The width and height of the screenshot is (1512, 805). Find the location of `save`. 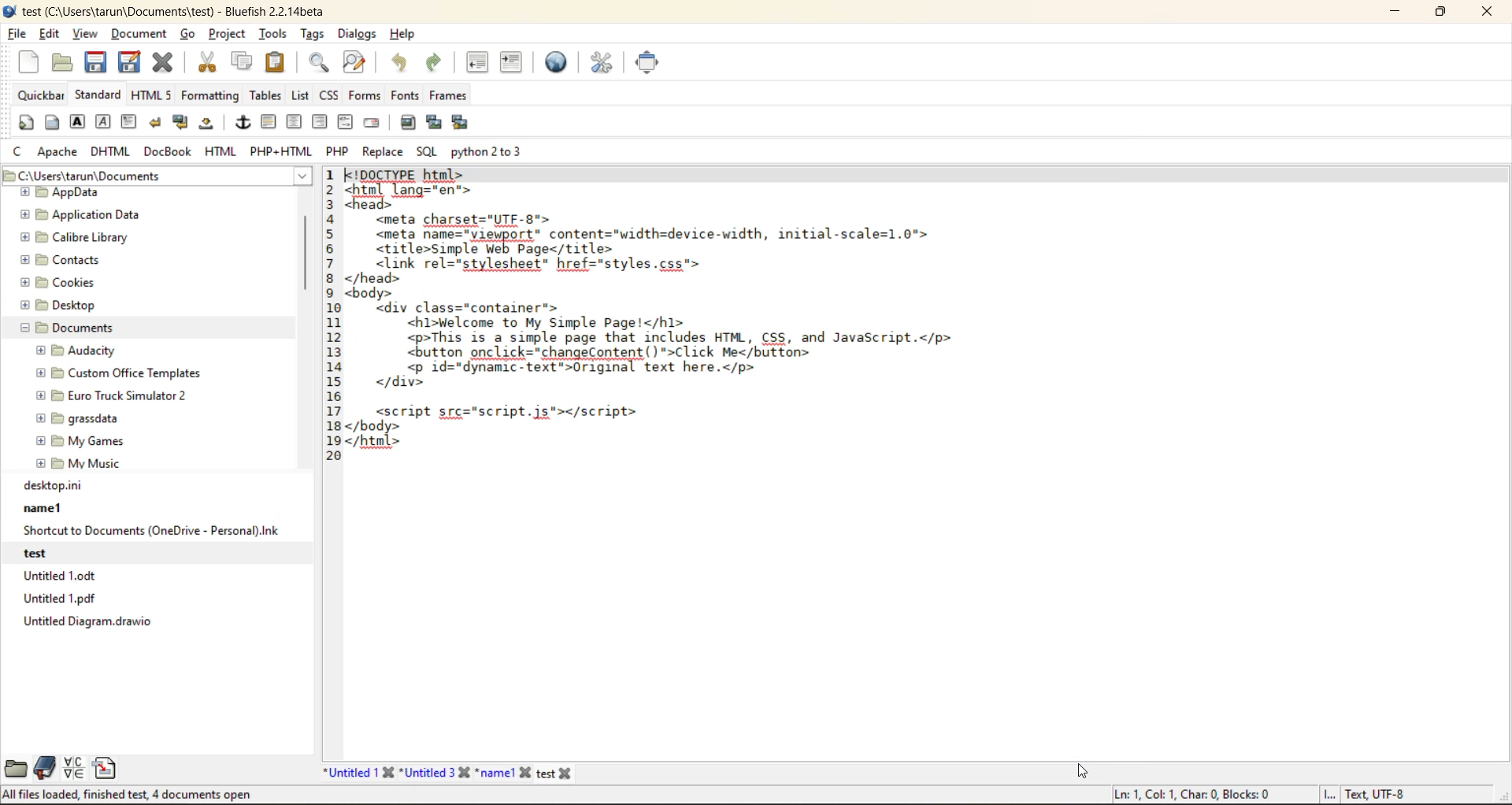

save is located at coordinates (96, 62).